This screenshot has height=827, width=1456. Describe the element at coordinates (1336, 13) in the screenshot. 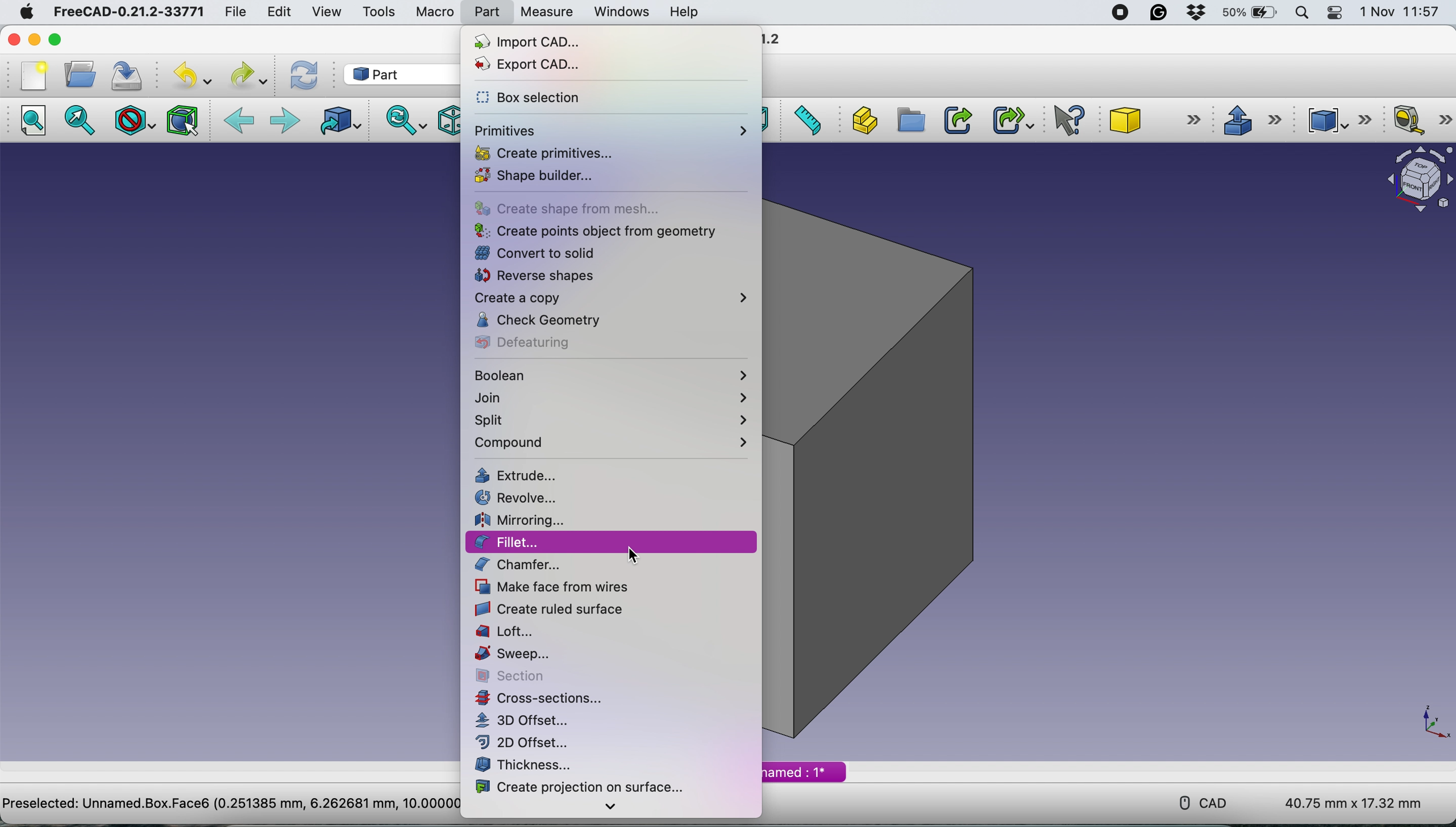

I see `control center` at that location.